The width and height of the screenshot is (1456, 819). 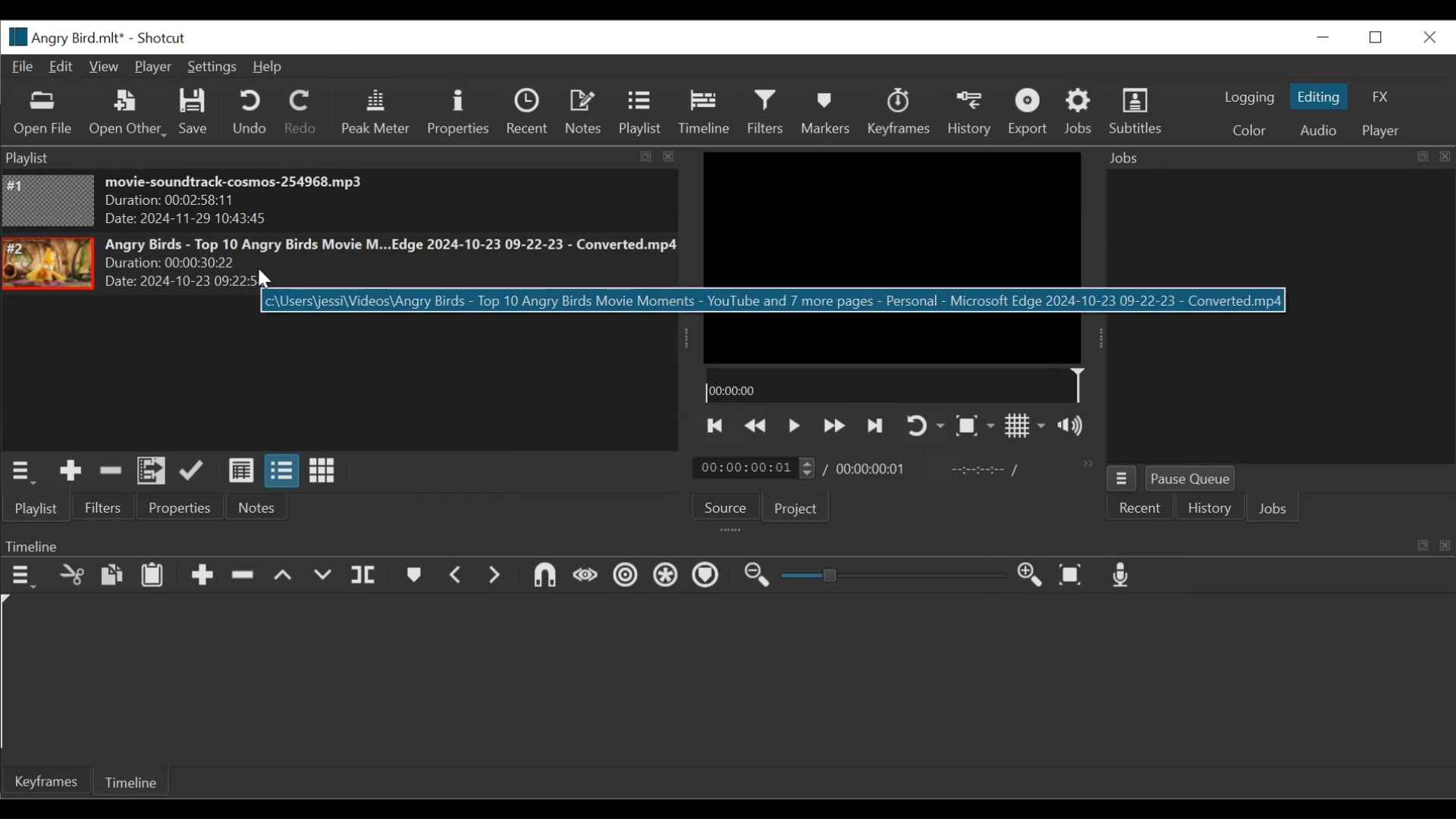 What do you see at coordinates (706, 578) in the screenshot?
I see `Ripple Markers` at bounding box center [706, 578].